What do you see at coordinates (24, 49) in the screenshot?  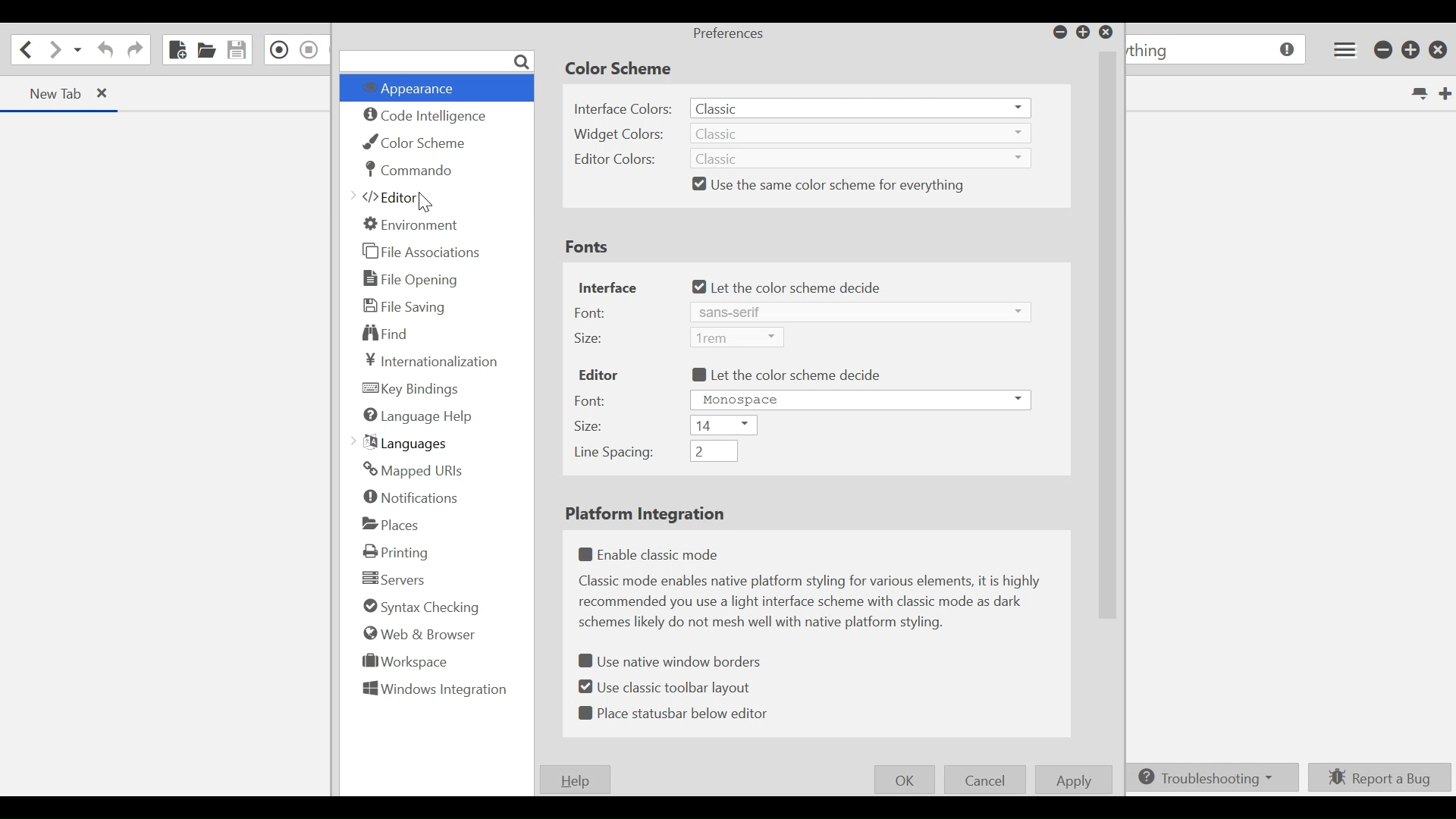 I see `Go back onelocation` at bounding box center [24, 49].